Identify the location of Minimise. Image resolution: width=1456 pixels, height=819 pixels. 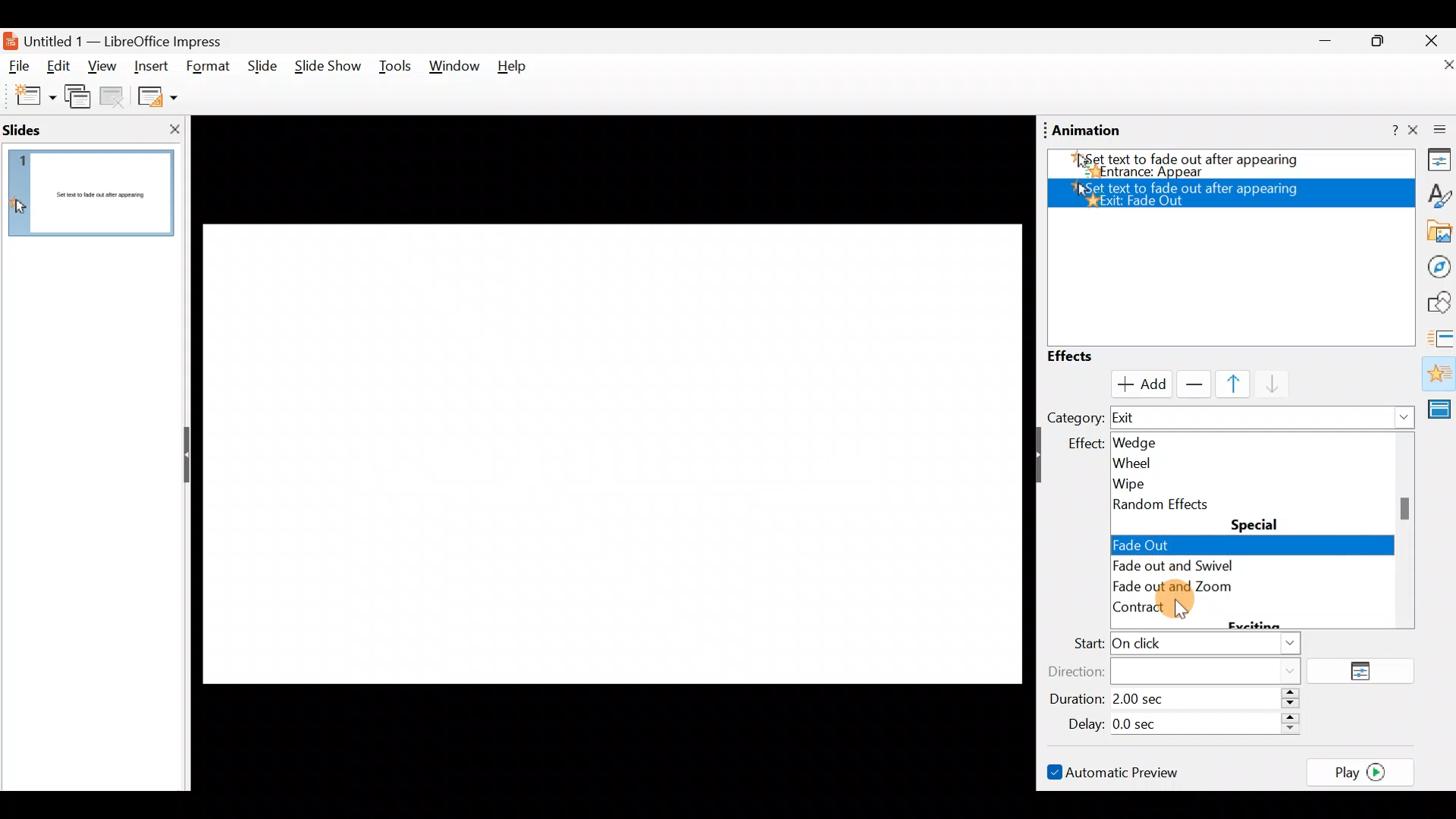
(1323, 45).